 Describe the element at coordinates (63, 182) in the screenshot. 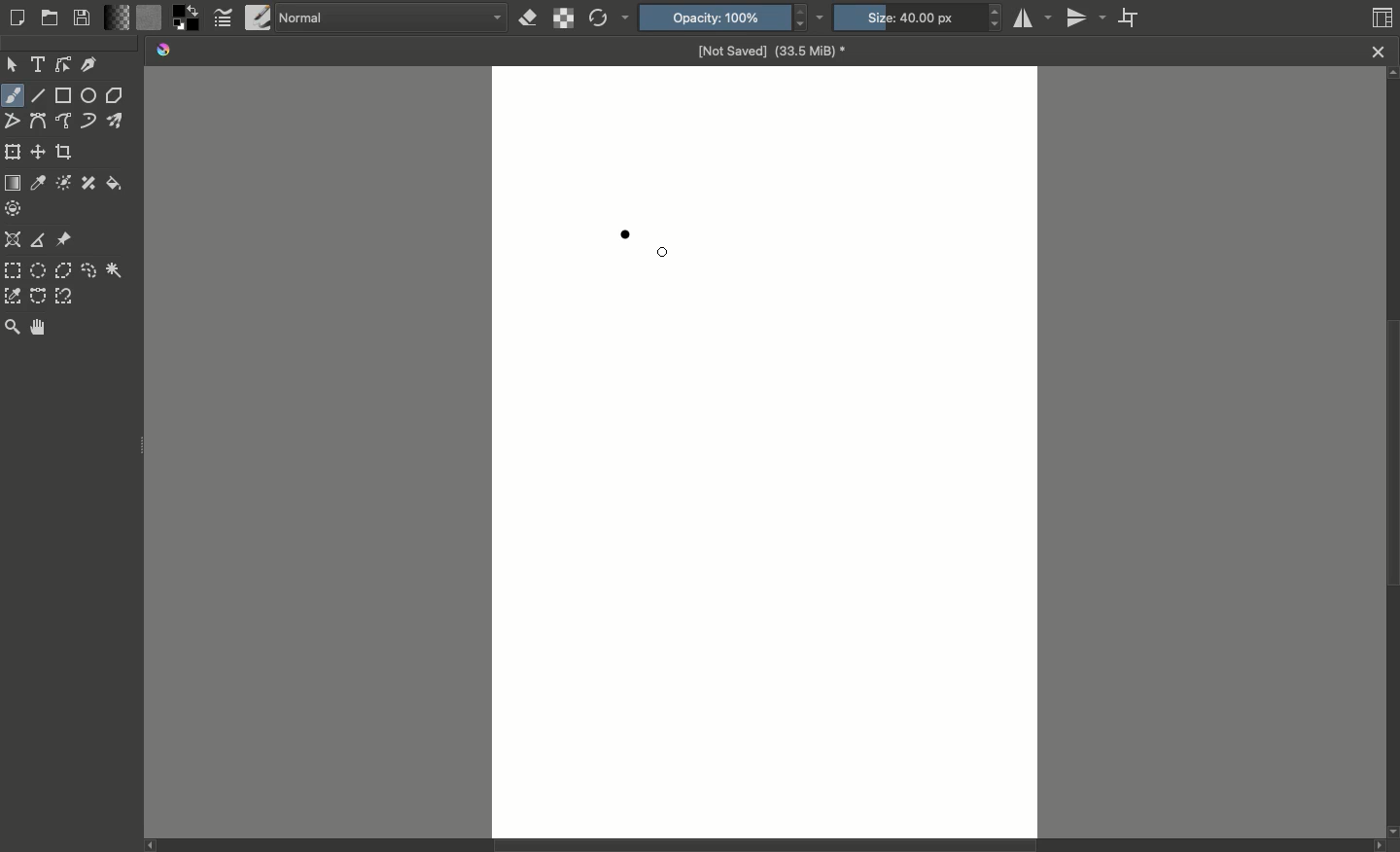

I see `Colorize mark tool` at that location.